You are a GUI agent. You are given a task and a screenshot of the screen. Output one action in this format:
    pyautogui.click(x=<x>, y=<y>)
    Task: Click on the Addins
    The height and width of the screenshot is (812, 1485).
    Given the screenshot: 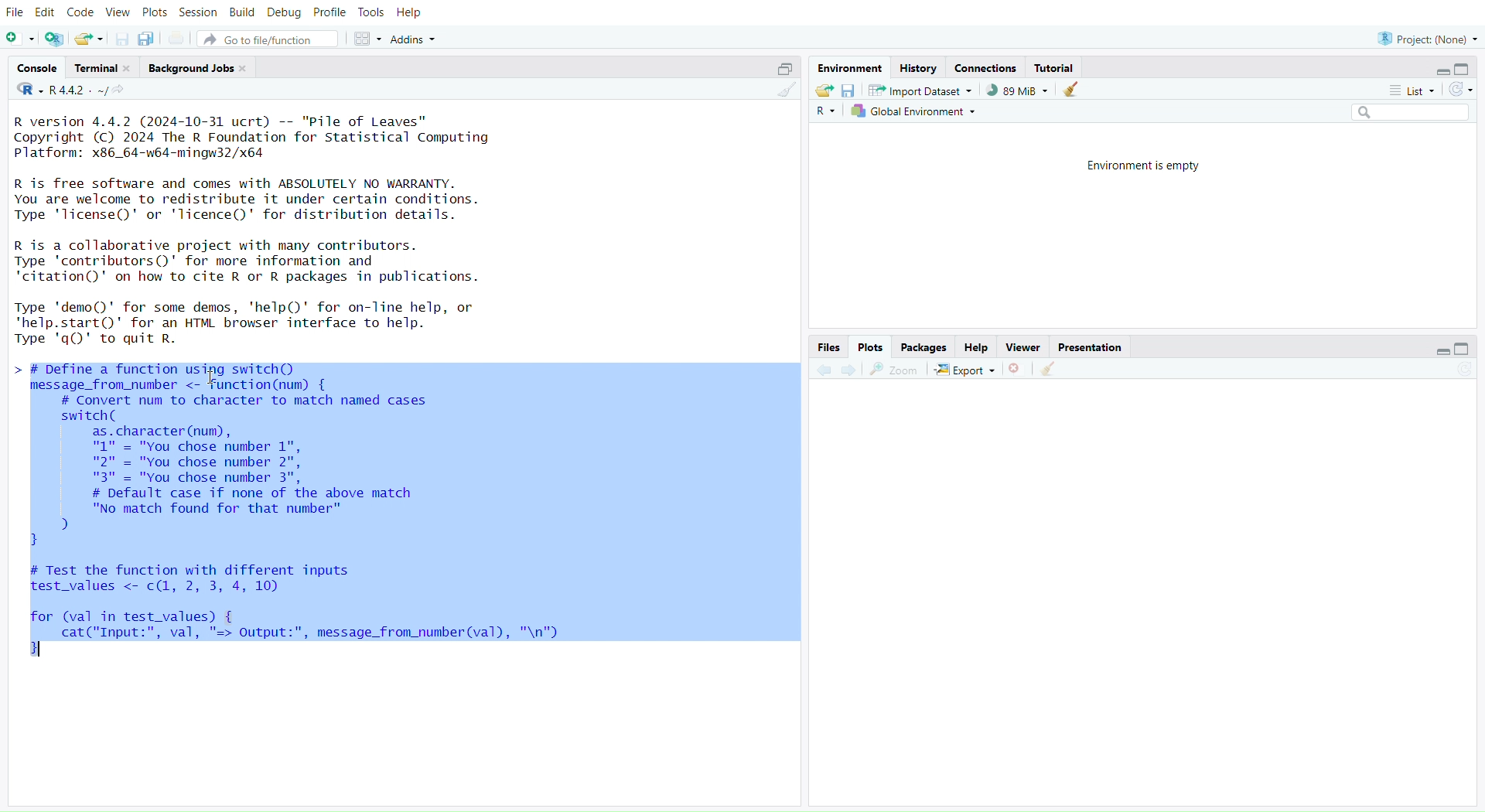 What is the action you would take?
    pyautogui.click(x=413, y=39)
    